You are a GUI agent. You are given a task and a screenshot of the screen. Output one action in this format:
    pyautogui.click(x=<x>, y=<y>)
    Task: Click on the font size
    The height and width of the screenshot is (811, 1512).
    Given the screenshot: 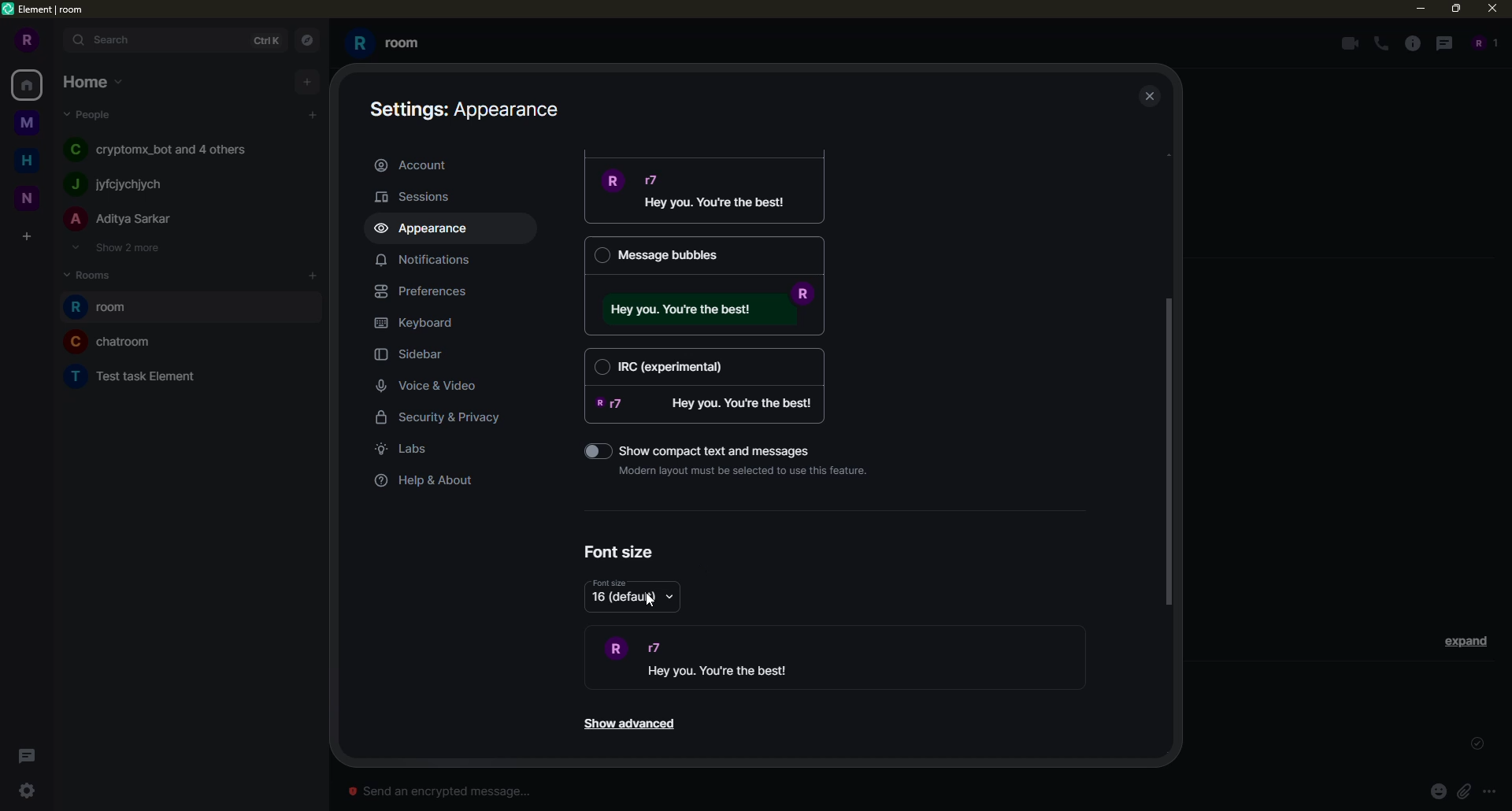 What is the action you would take?
    pyautogui.click(x=610, y=583)
    